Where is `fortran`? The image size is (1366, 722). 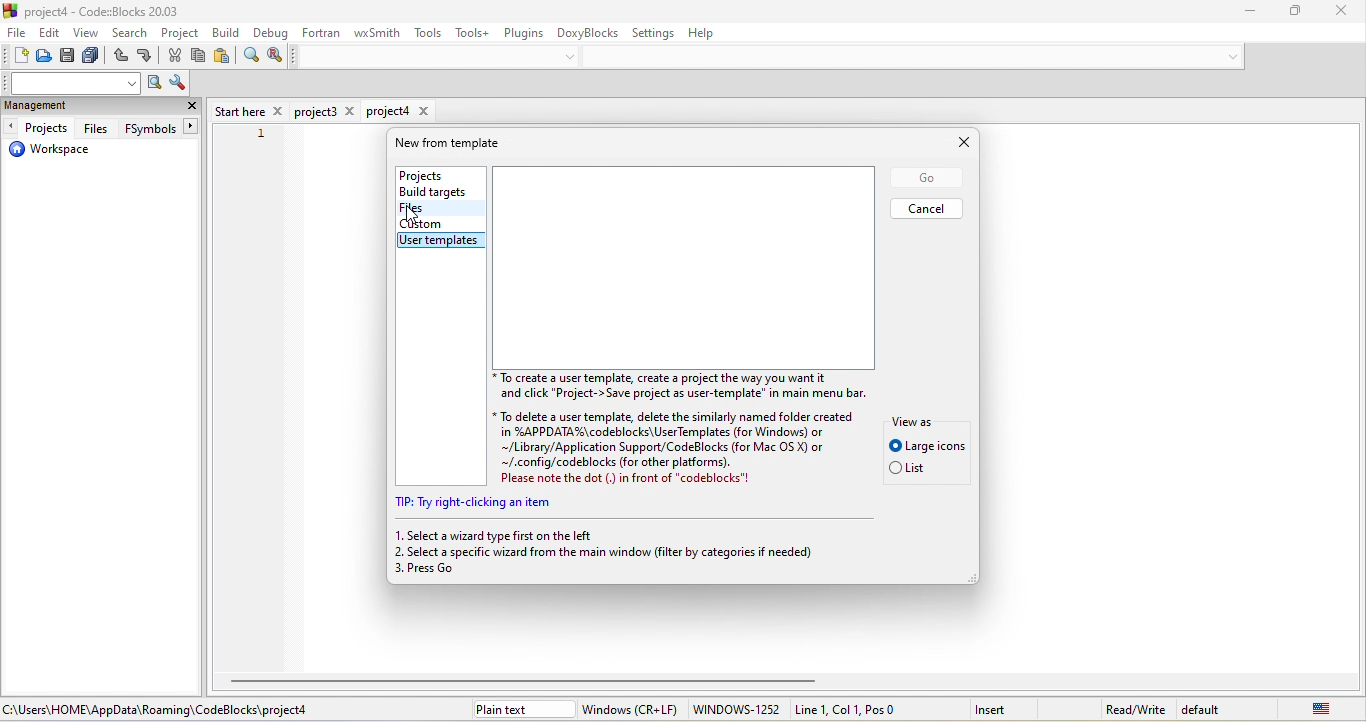 fortran is located at coordinates (322, 32).